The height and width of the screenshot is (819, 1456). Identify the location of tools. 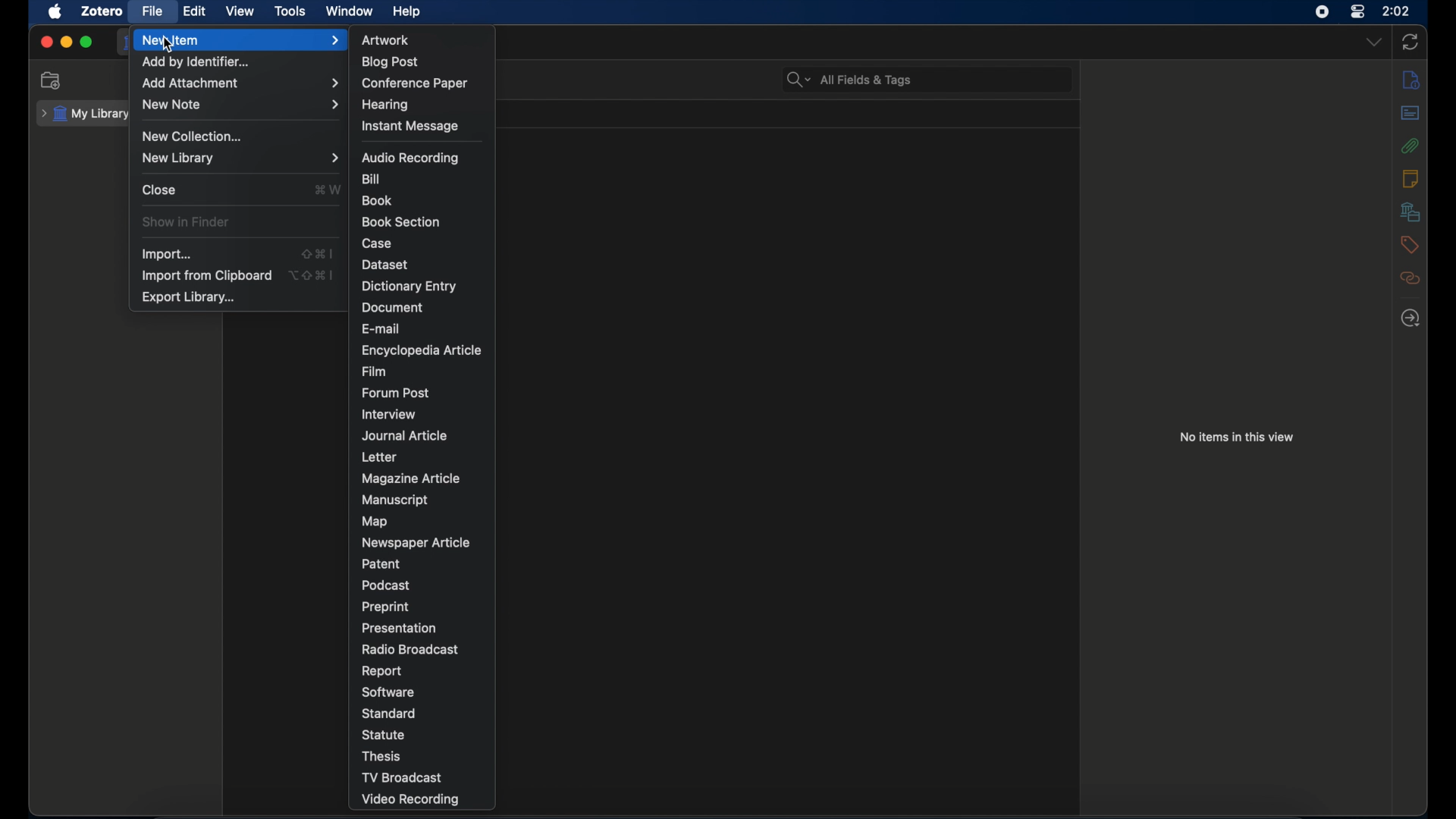
(290, 10).